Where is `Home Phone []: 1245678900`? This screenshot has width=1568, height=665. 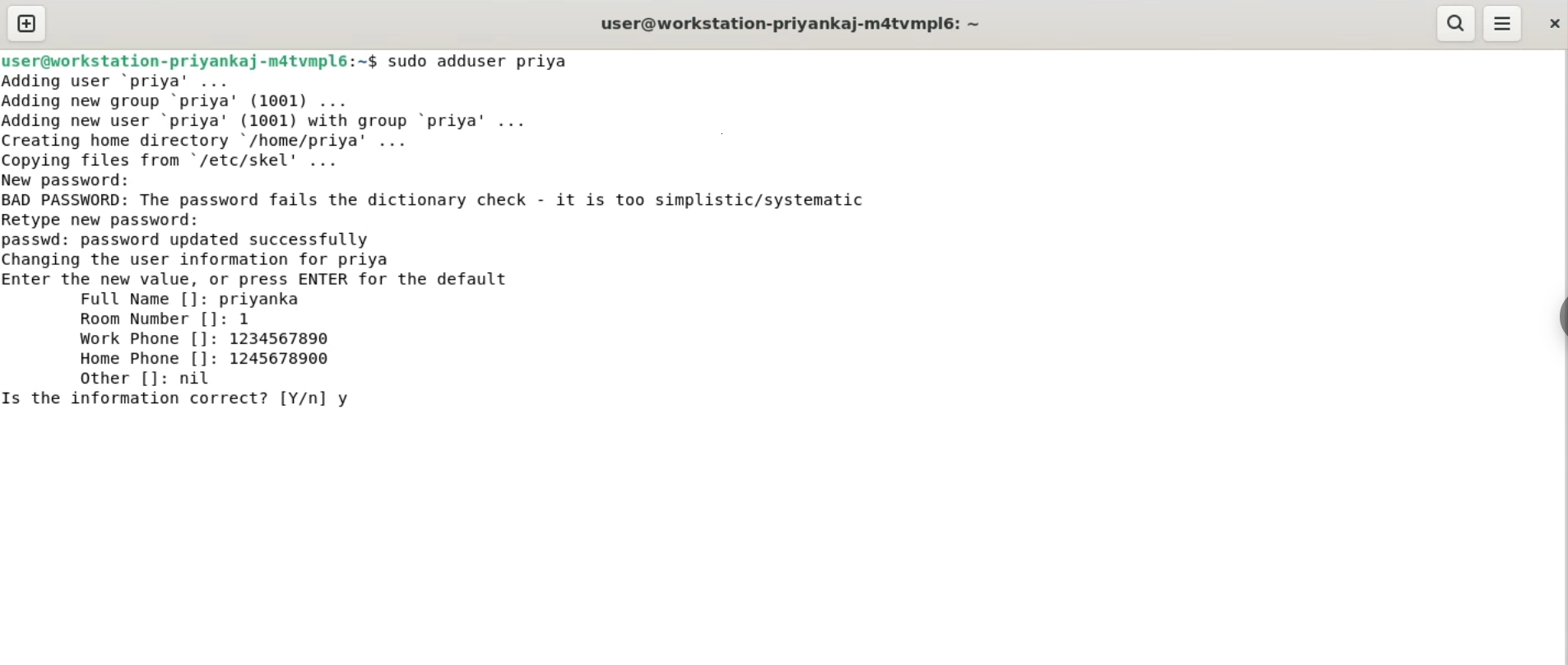
Home Phone []: 1245678900 is located at coordinates (206, 358).